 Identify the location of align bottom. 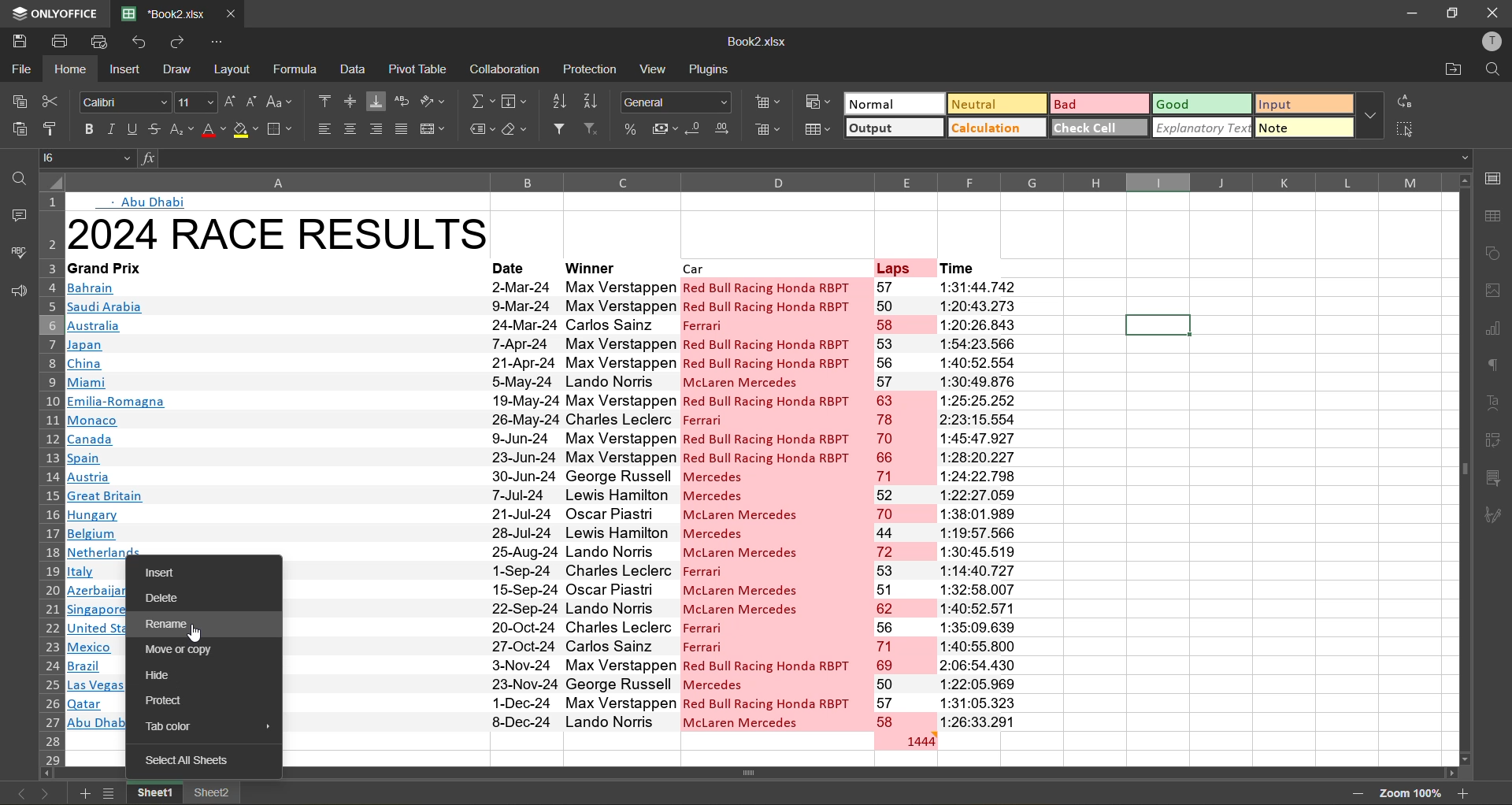
(377, 99).